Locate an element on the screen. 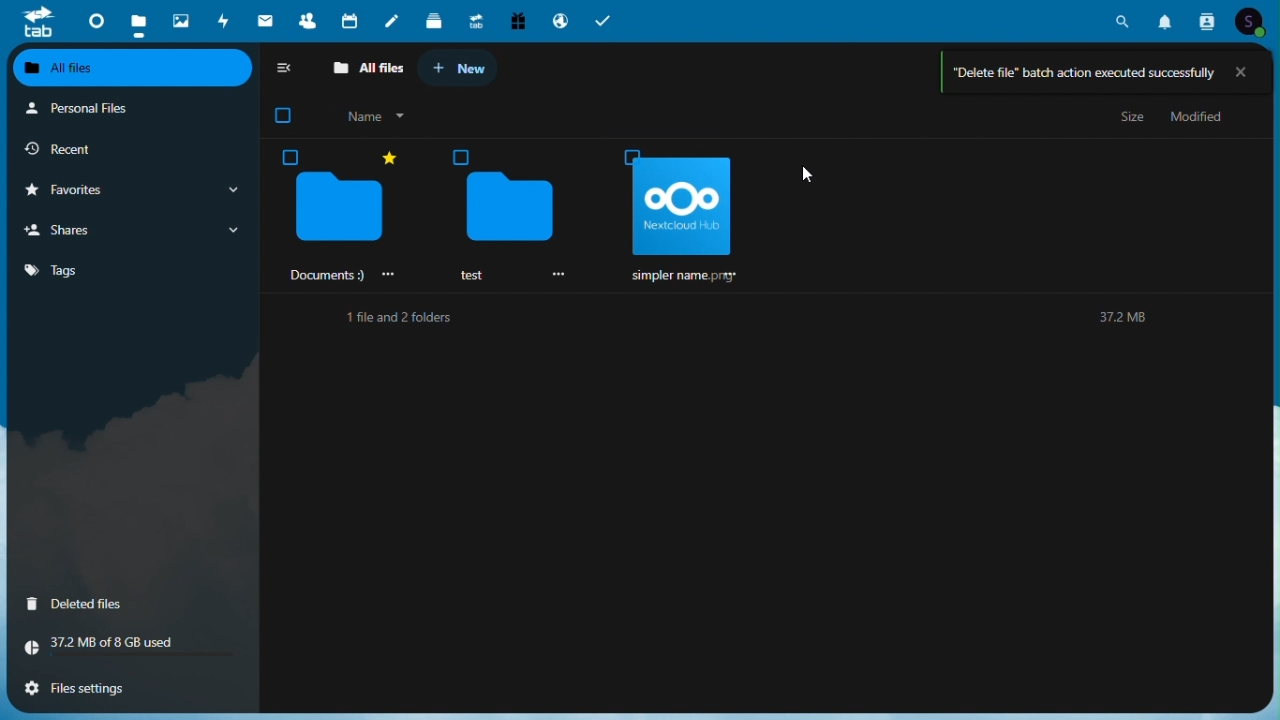 Image resolution: width=1280 pixels, height=720 pixels. Activity is located at coordinates (227, 21).